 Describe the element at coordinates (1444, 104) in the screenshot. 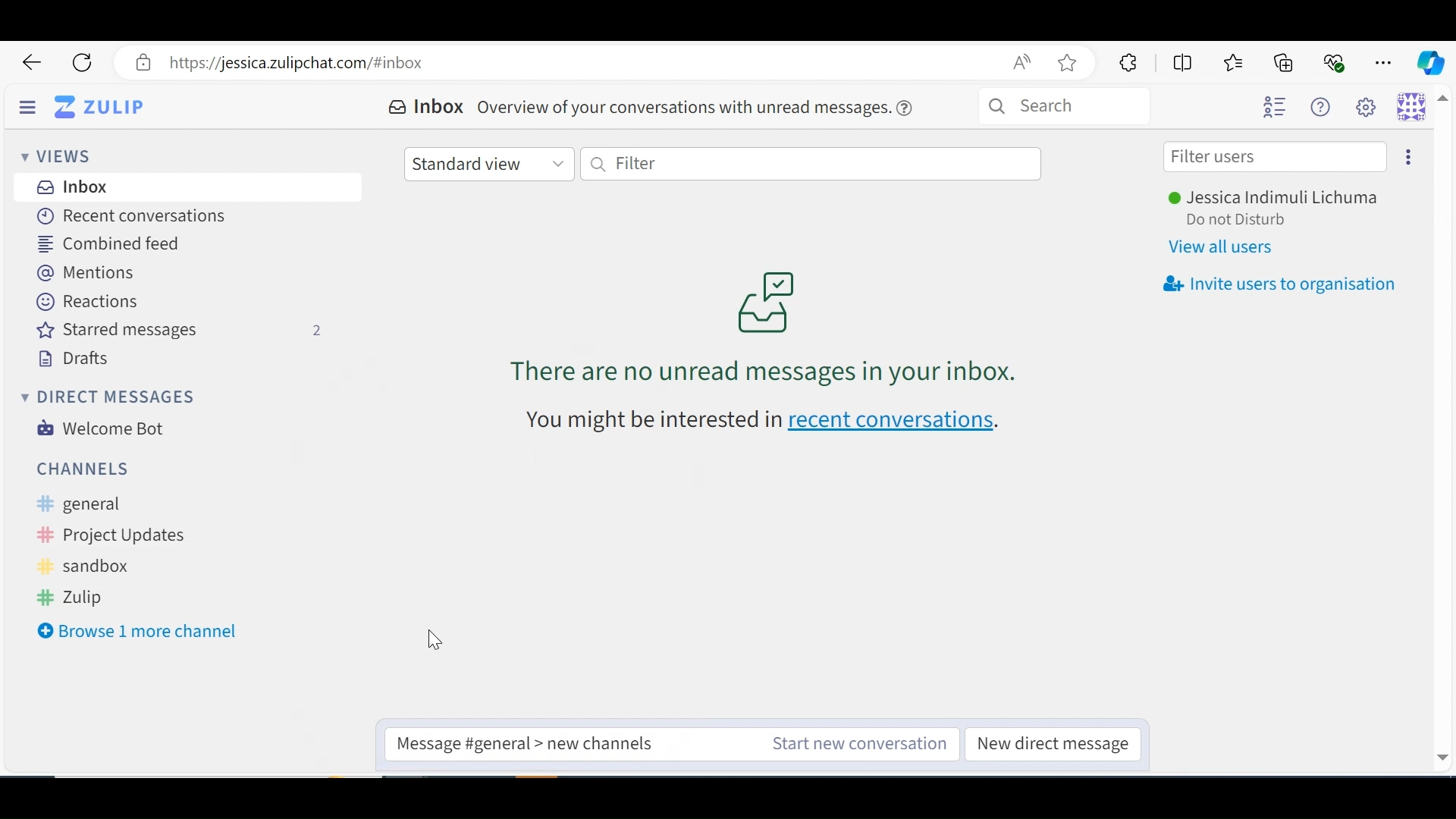

I see `Up` at that location.